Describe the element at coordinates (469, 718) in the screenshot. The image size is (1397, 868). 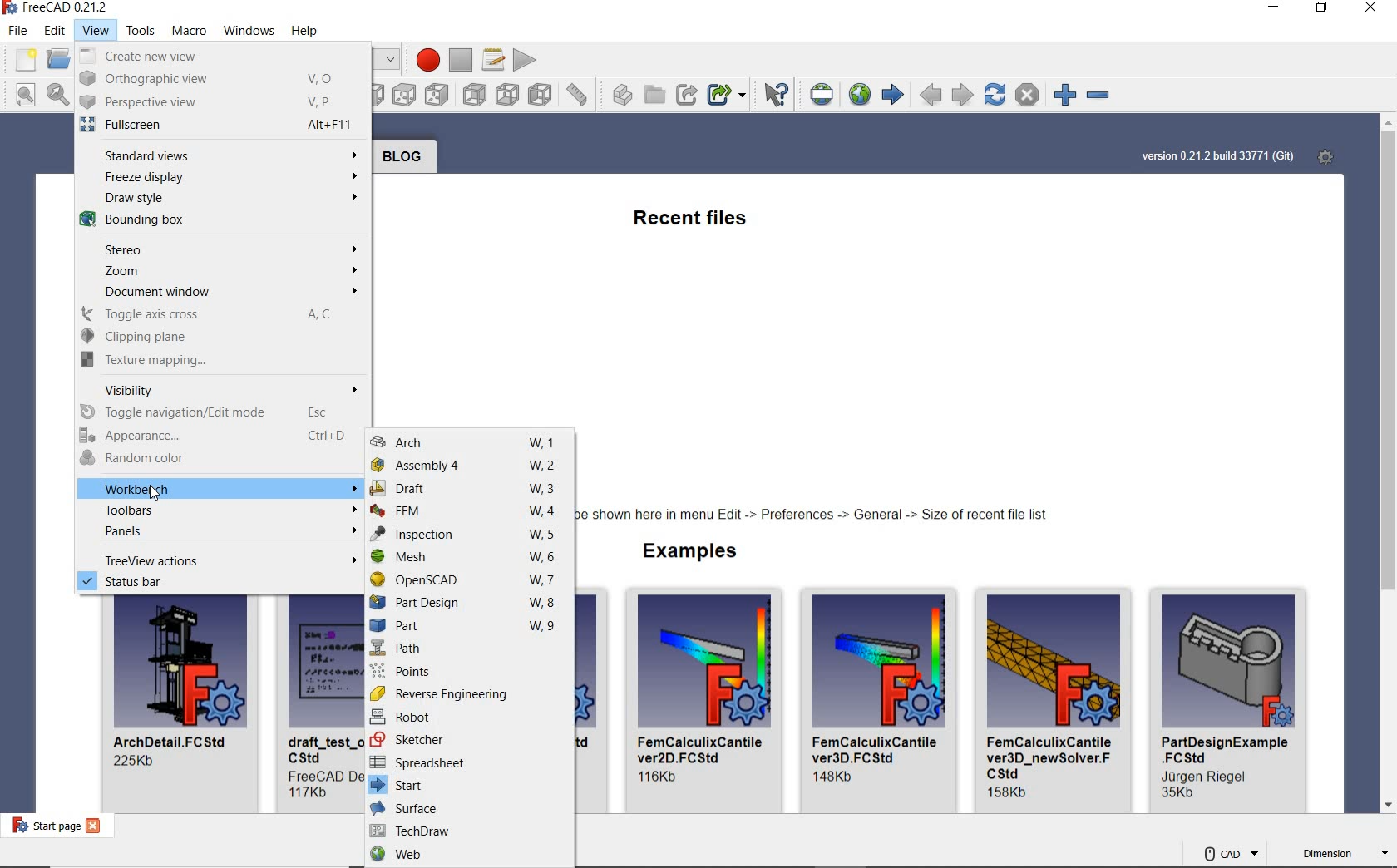
I see `robot` at that location.